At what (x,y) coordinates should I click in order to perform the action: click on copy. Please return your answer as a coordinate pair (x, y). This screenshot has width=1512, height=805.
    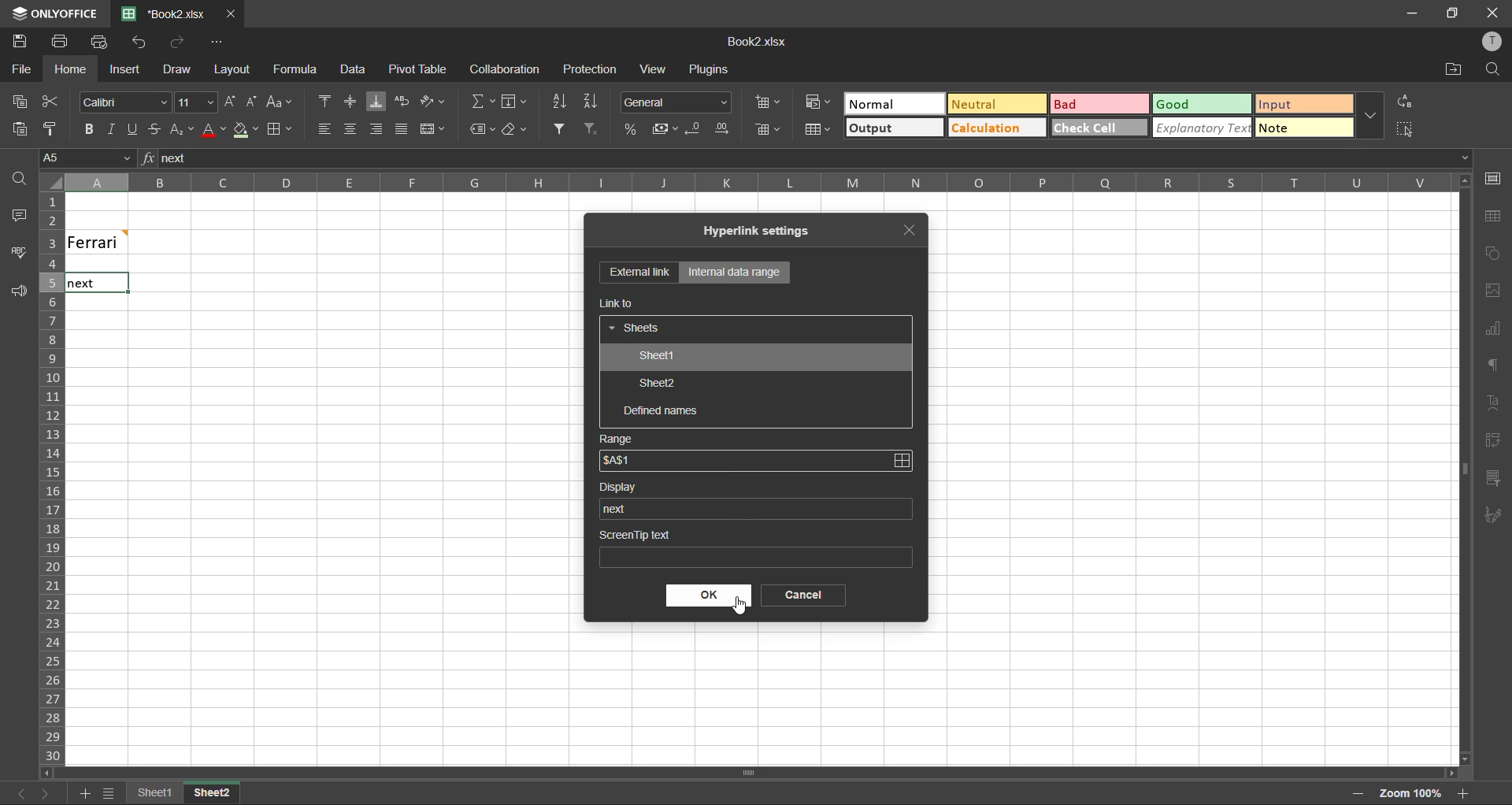
    Looking at the image, I should click on (15, 102).